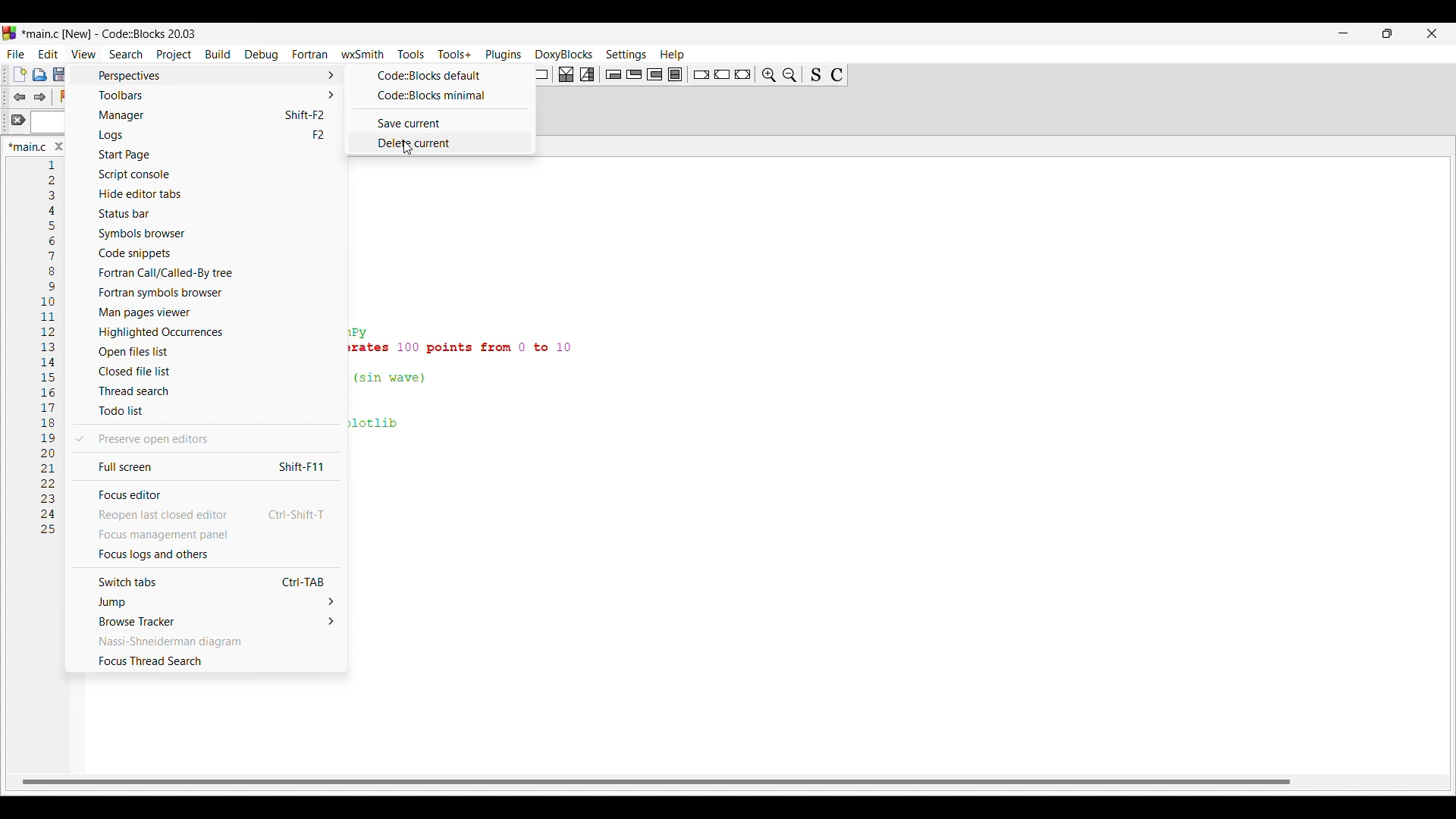  What do you see at coordinates (743, 74) in the screenshot?
I see `Return instruction` at bounding box center [743, 74].